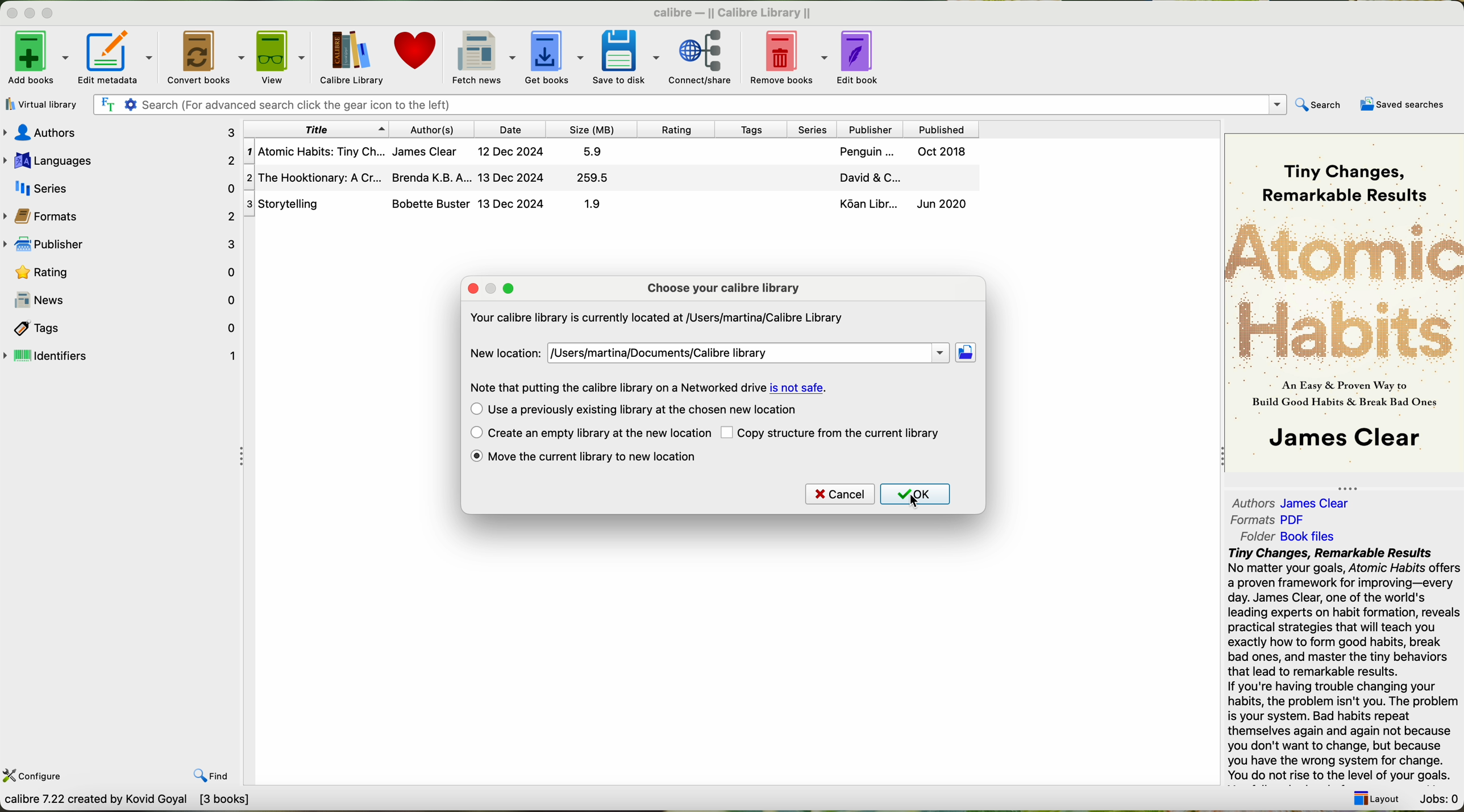  Describe the element at coordinates (122, 245) in the screenshot. I see `publisher` at that location.